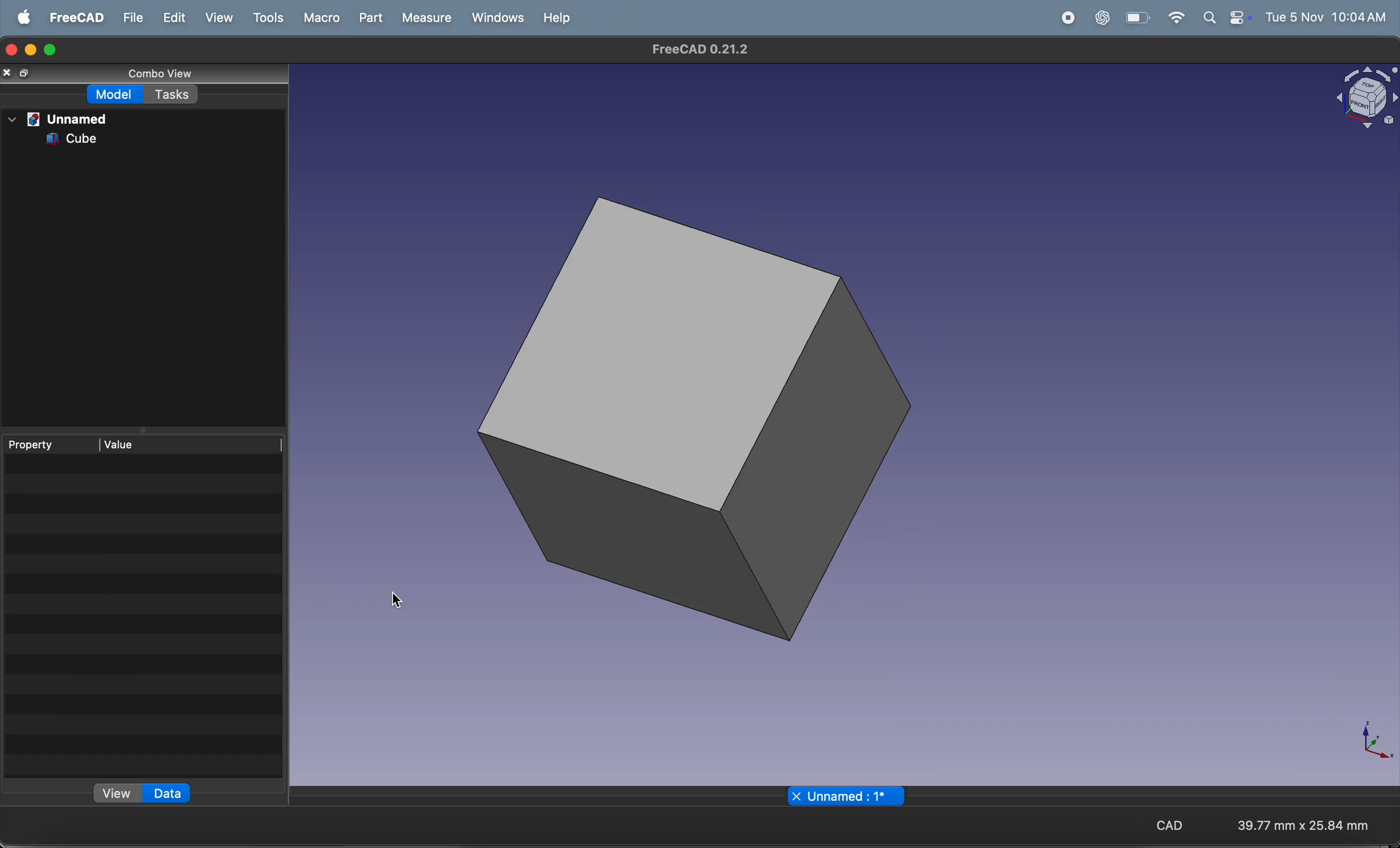  Describe the element at coordinates (1330, 16) in the screenshot. I see `time and date` at that location.